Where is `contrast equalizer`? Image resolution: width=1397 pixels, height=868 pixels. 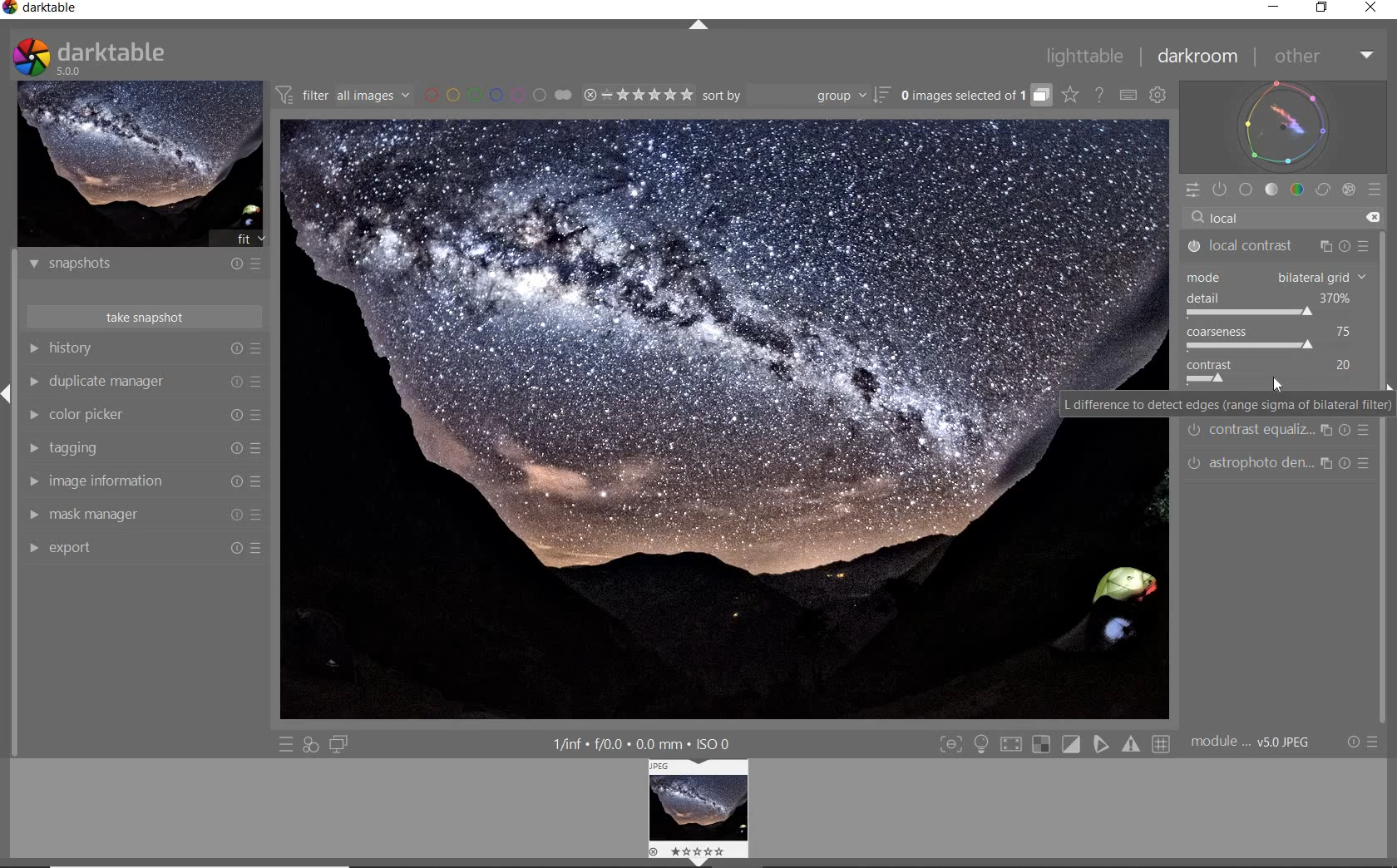 contrast equalizer is located at coordinates (1261, 433).